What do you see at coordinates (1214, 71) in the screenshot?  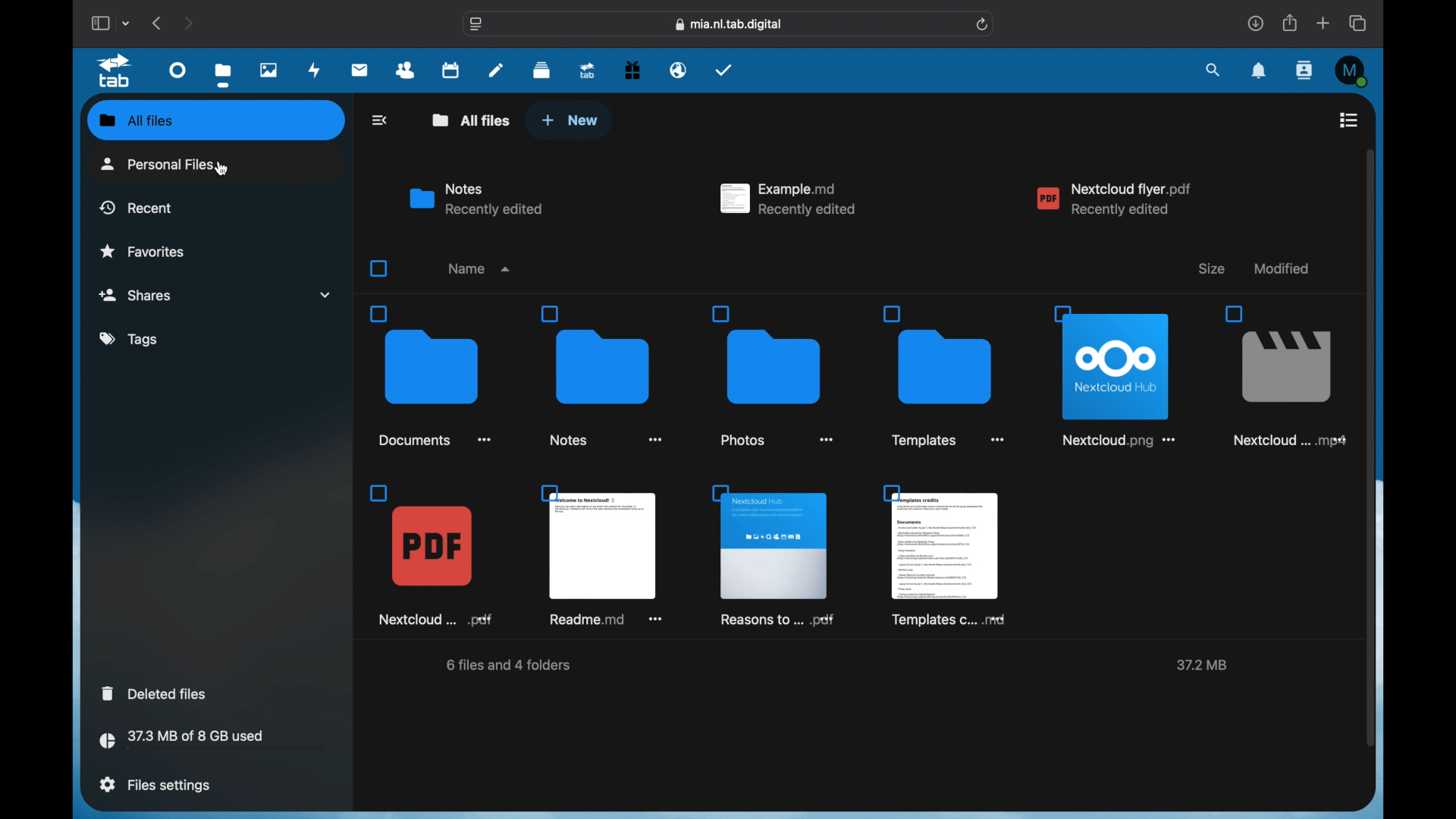 I see `search` at bounding box center [1214, 71].